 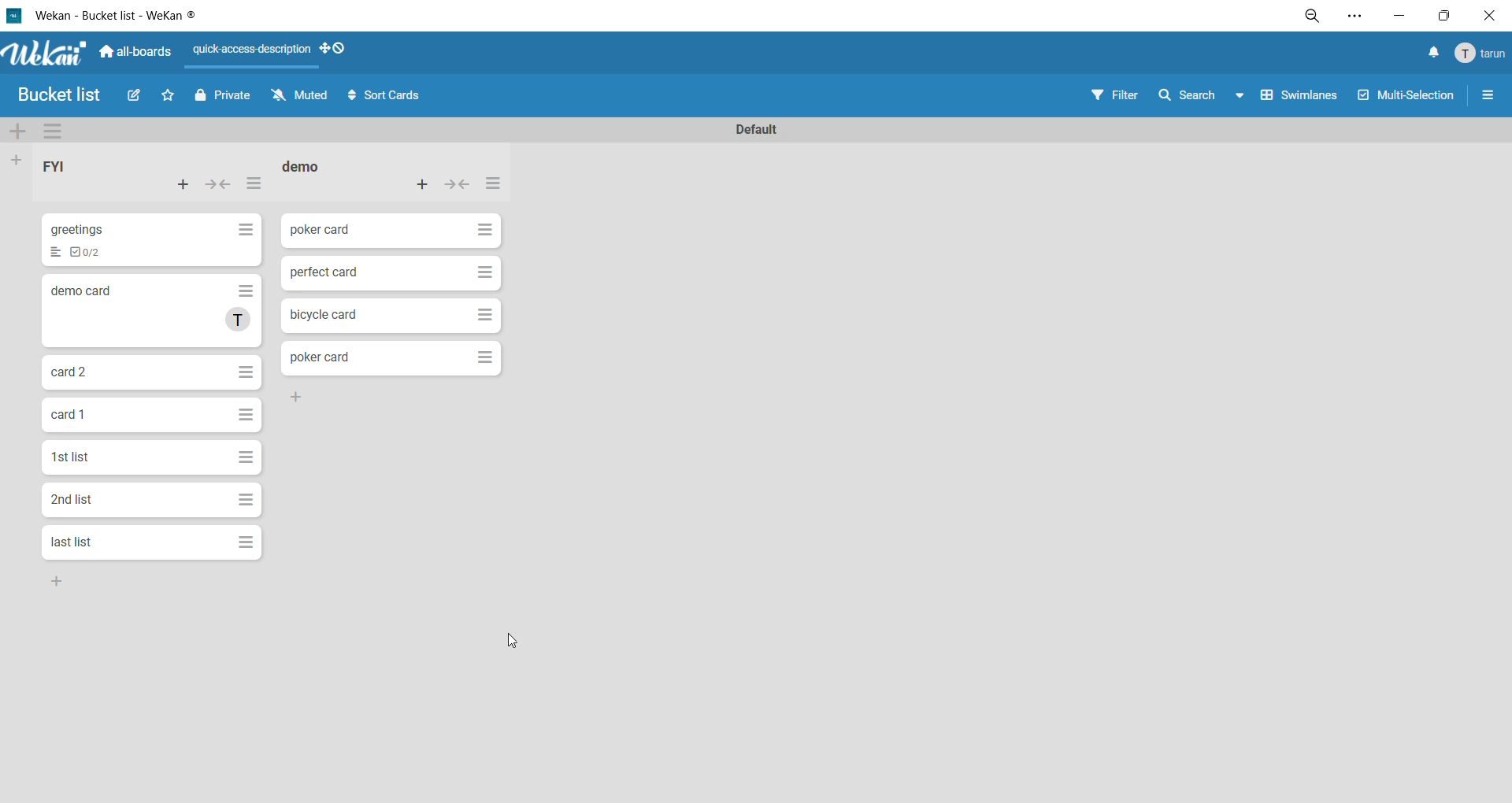 What do you see at coordinates (1487, 16) in the screenshot?
I see `close` at bounding box center [1487, 16].